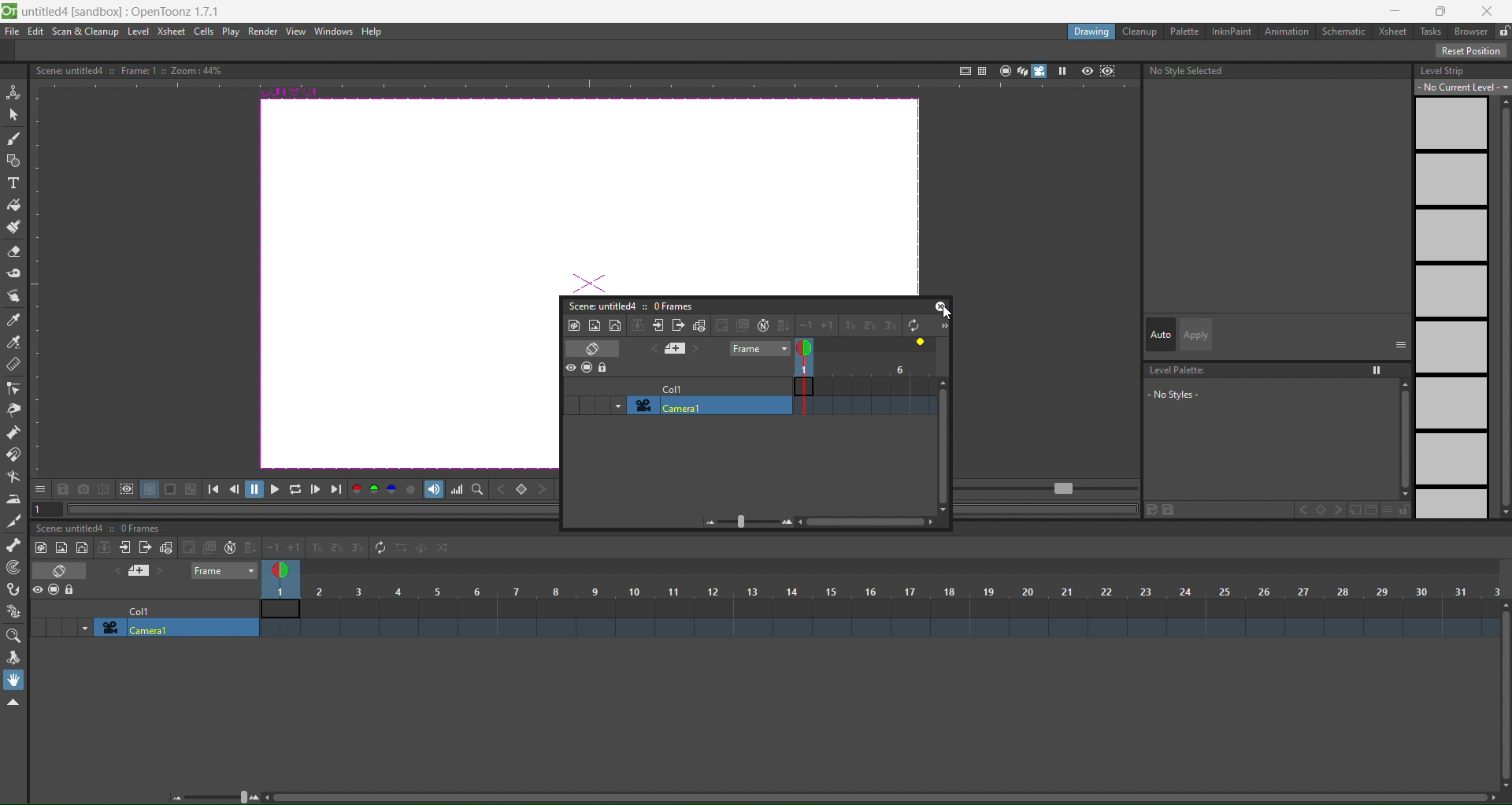 The width and height of the screenshot is (1512, 805). Describe the element at coordinates (13, 410) in the screenshot. I see `pinch tool` at that location.